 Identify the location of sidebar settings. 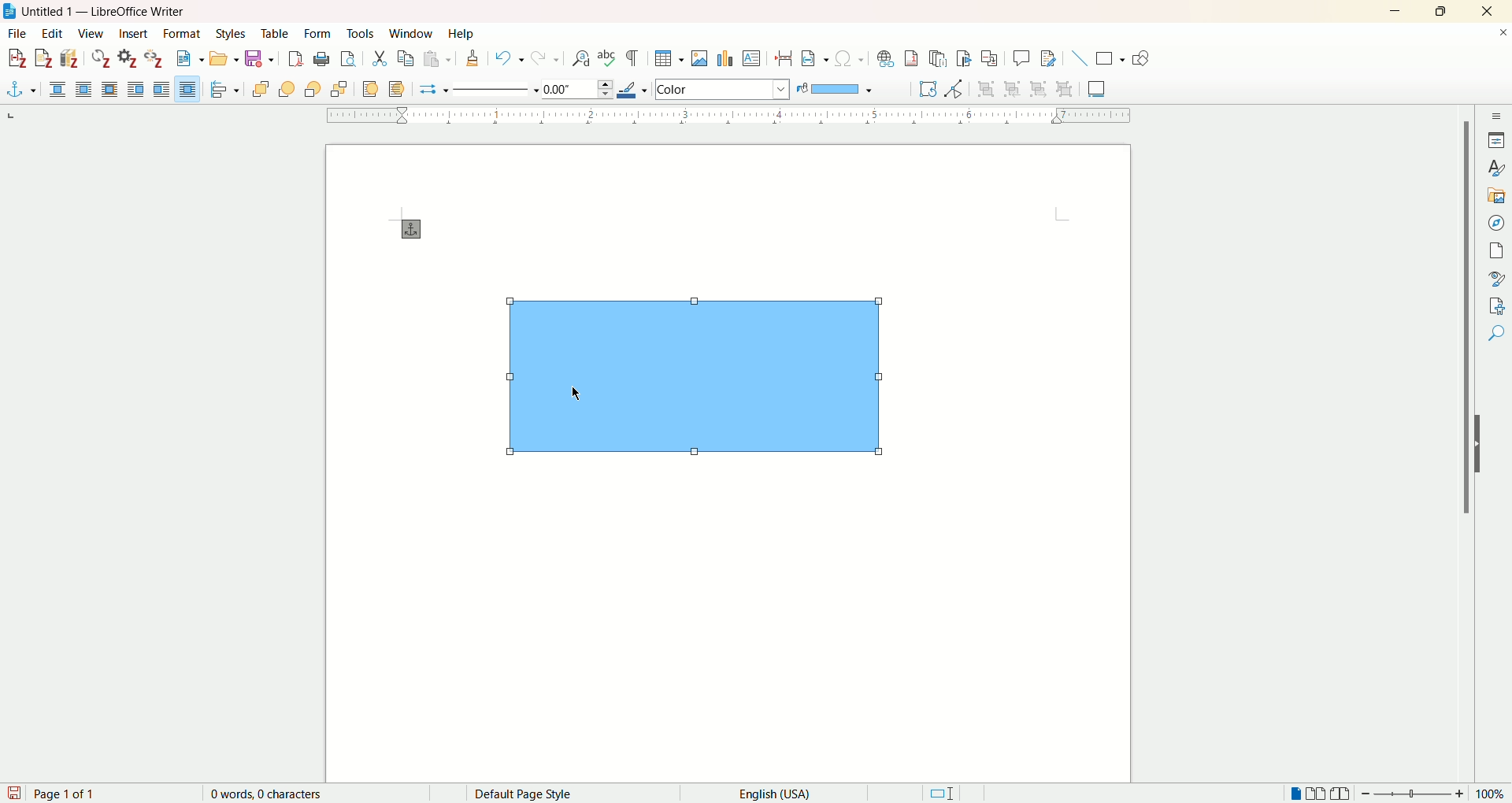
(1494, 117).